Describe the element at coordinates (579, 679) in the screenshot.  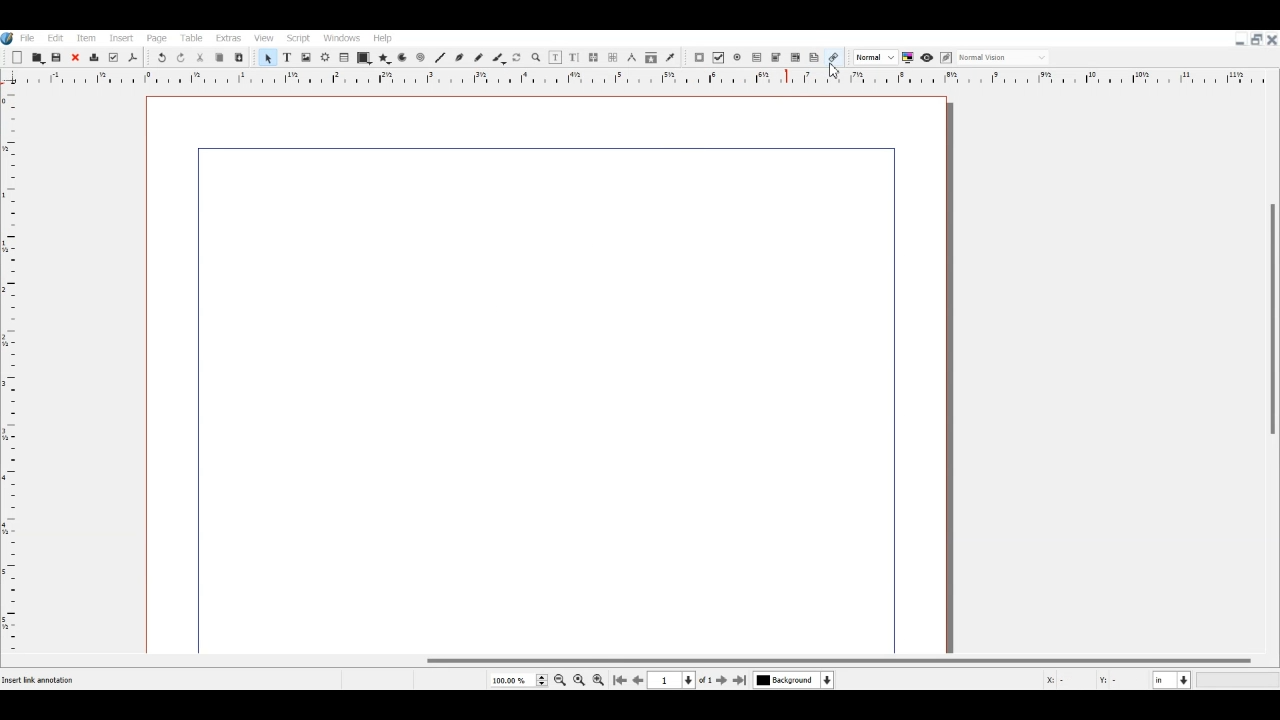
I see `Zoom to 100%` at that location.